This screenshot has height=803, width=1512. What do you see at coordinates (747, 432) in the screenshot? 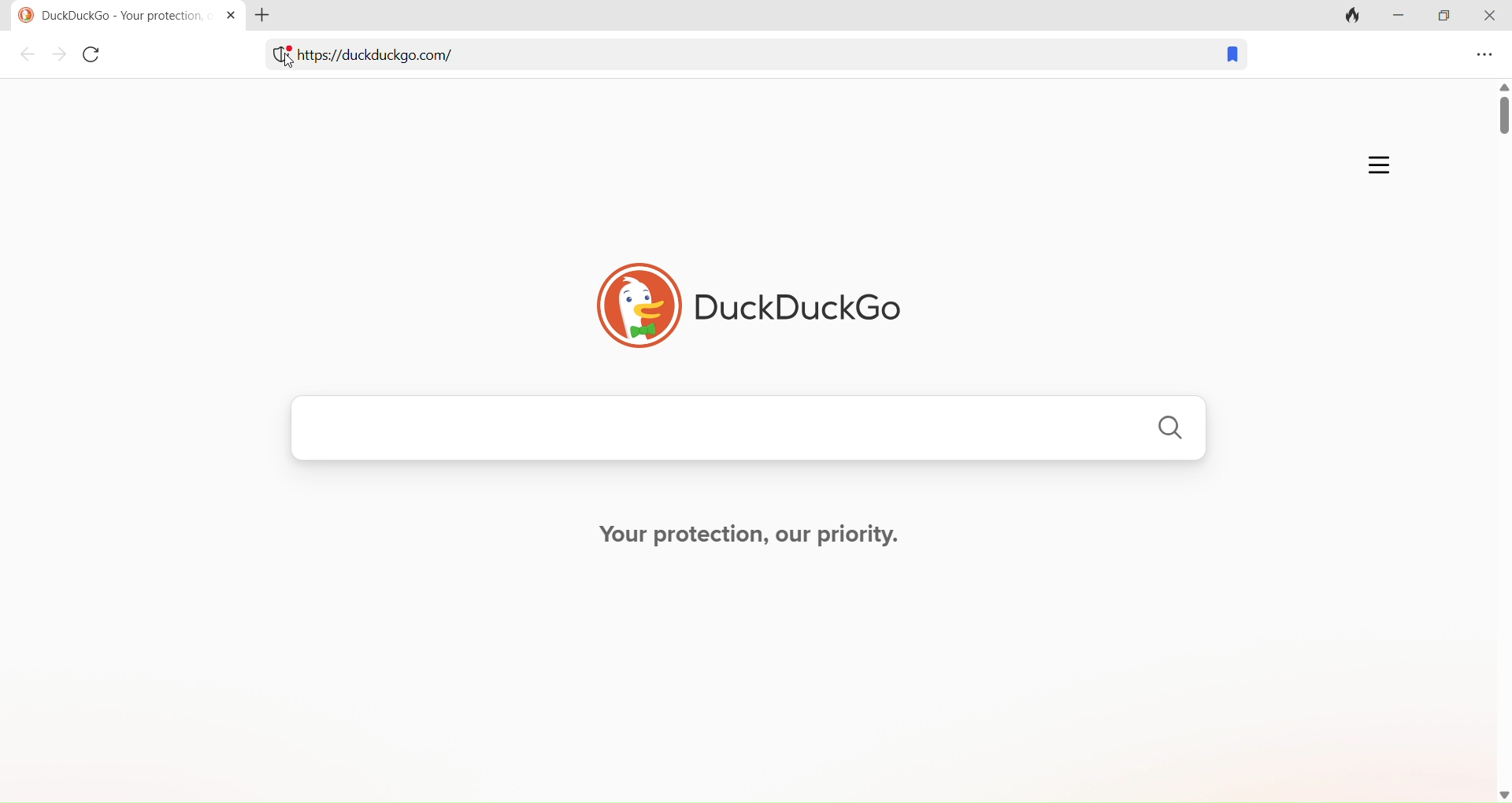
I see `search engine search bar` at bounding box center [747, 432].